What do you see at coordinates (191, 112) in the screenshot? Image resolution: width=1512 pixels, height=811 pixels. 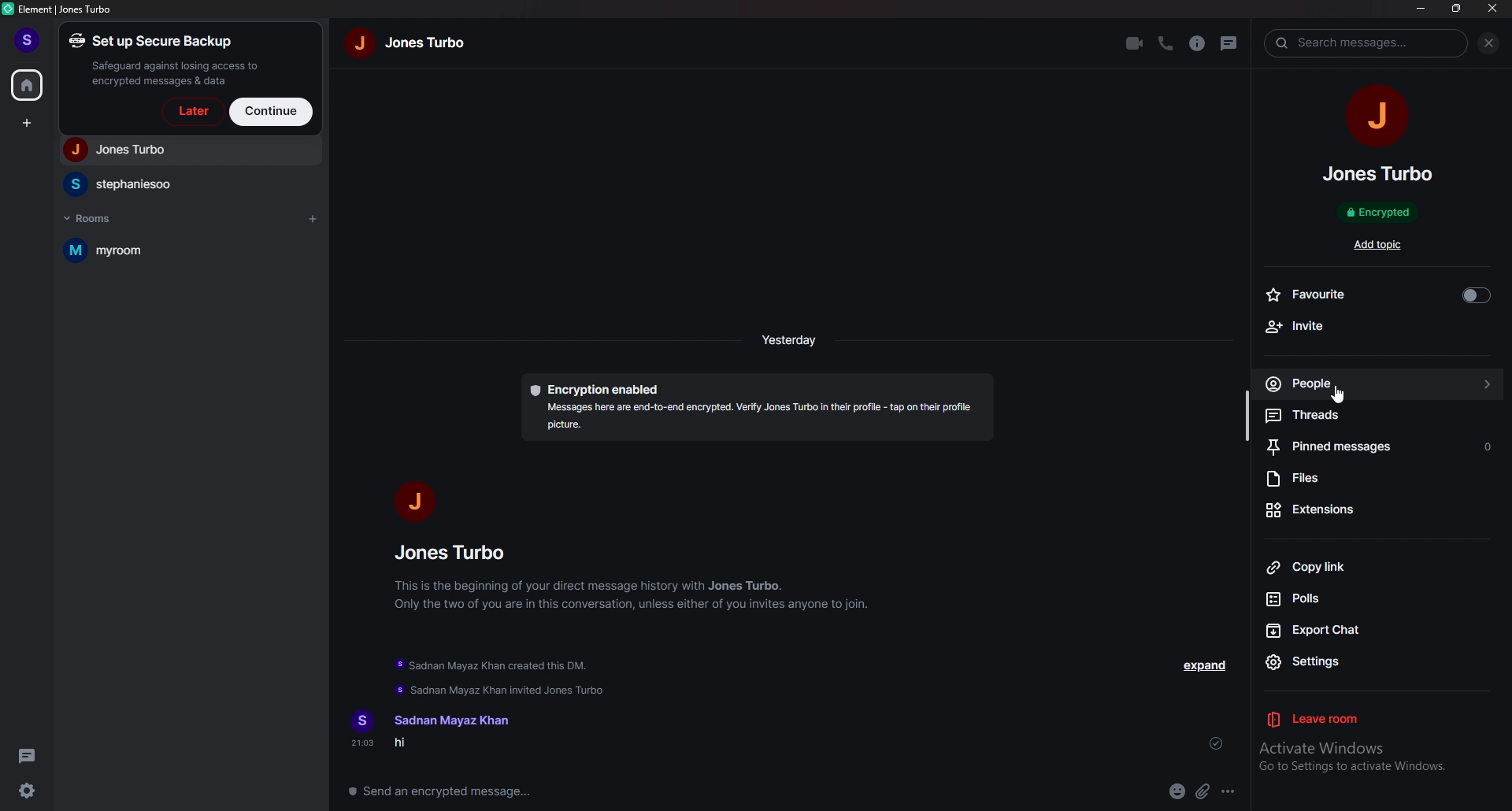 I see `later` at bounding box center [191, 112].